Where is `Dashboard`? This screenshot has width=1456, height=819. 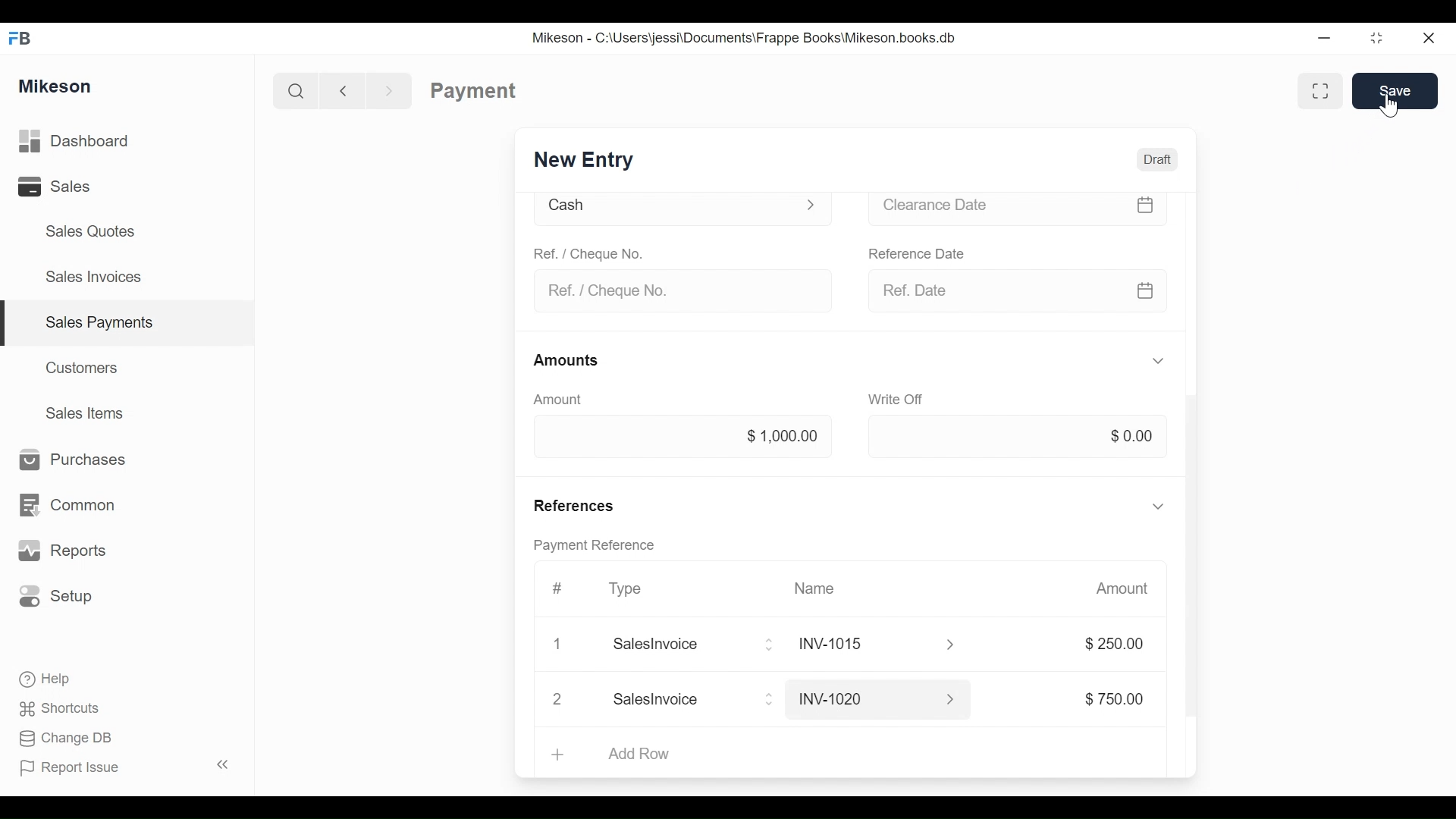
Dashboard is located at coordinates (99, 142).